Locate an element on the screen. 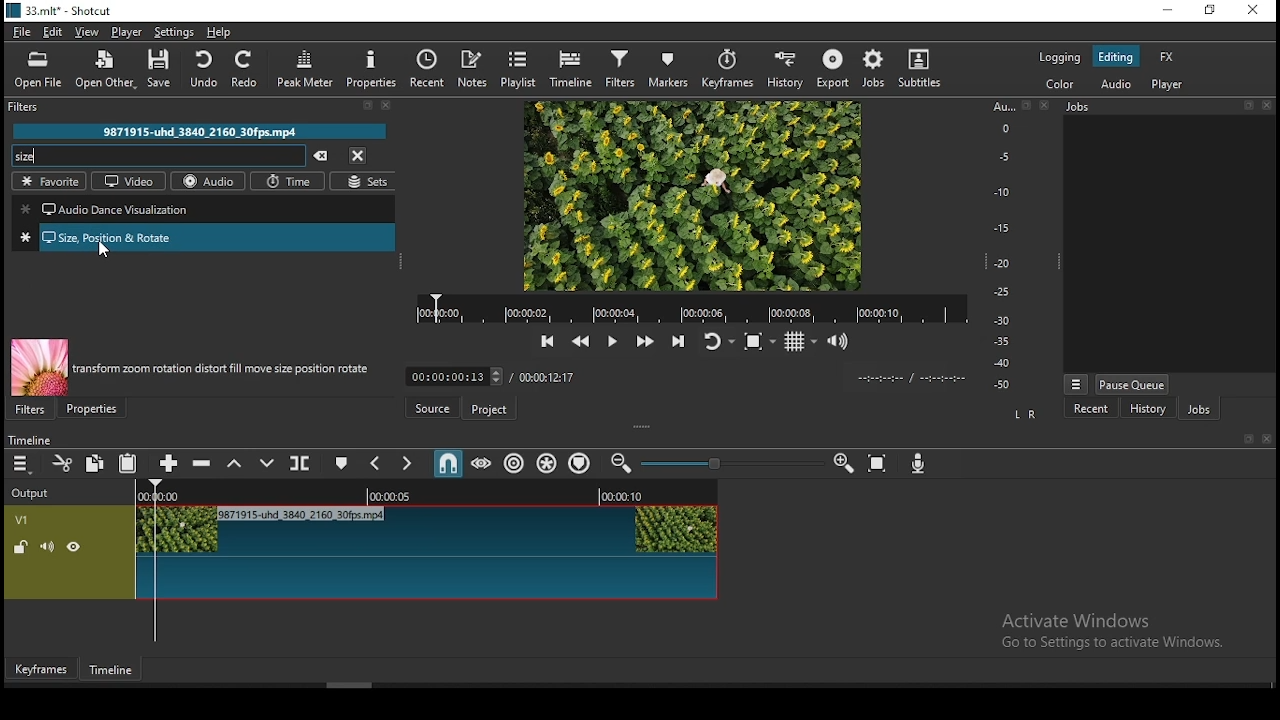 The height and width of the screenshot is (720, 1280). undo is located at coordinates (202, 72).